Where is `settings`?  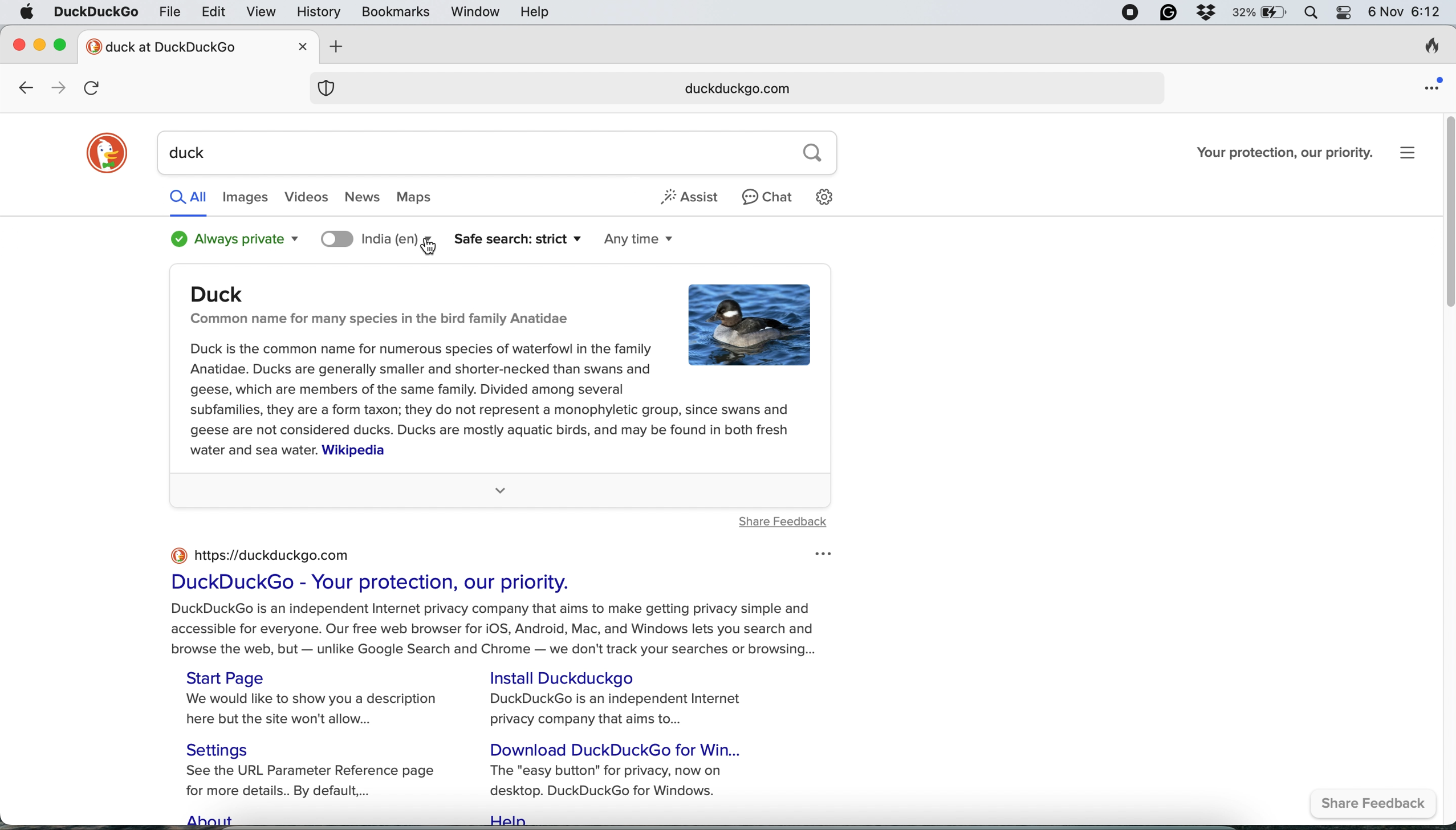 settings is located at coordinates (1414, 152).